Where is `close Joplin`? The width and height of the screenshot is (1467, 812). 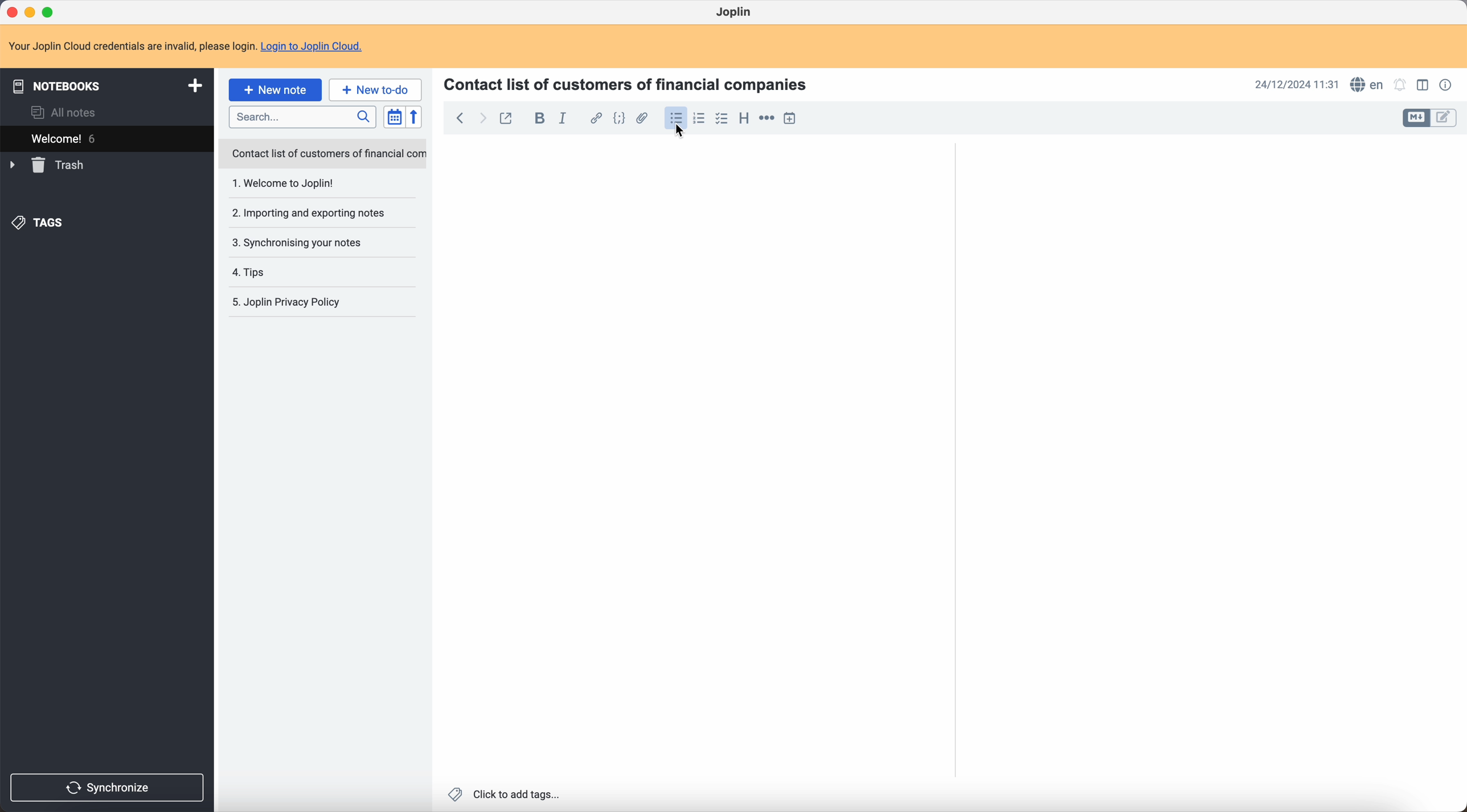
close Joplin is located at coordinates (11, 11).